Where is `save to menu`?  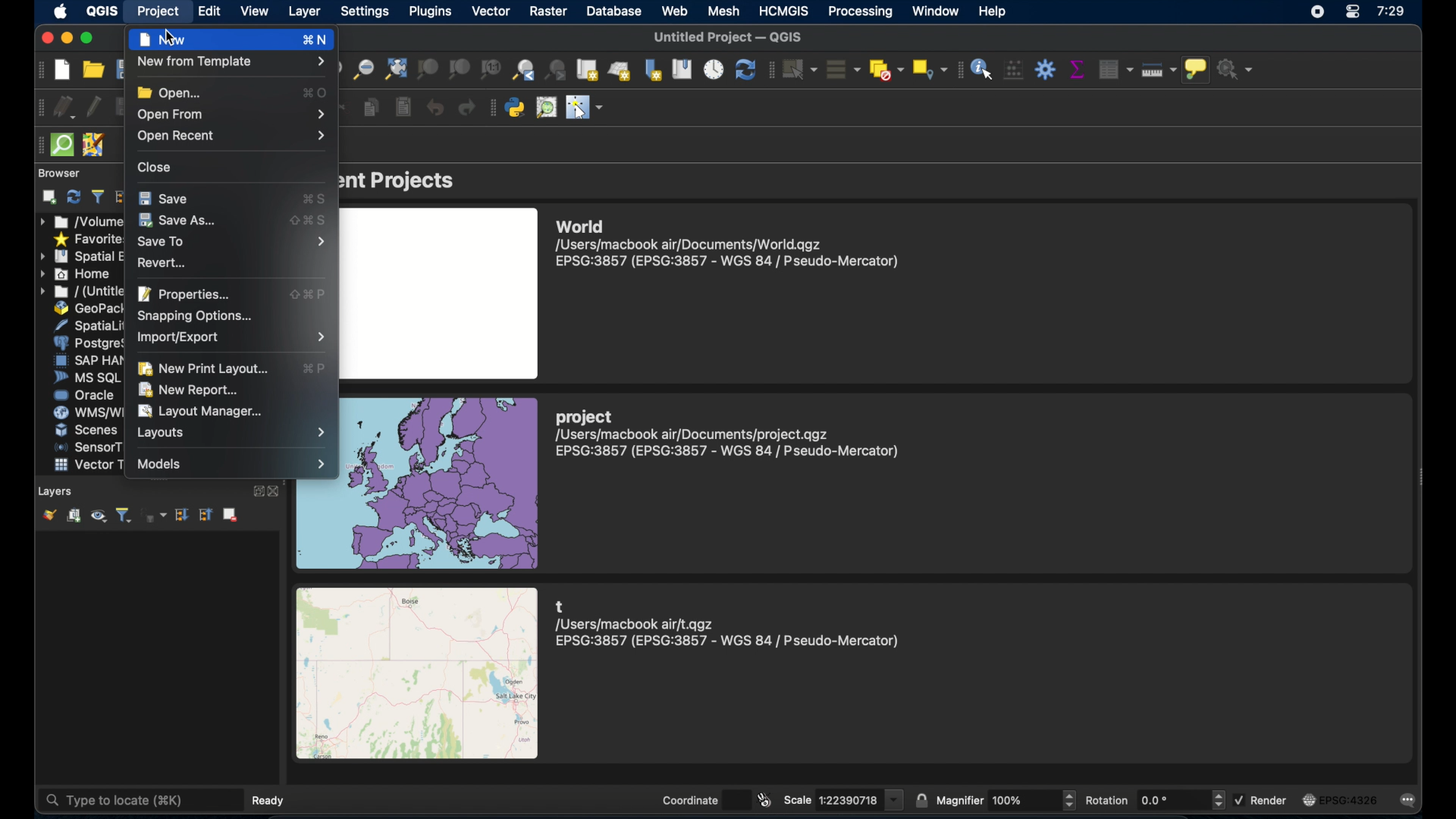 save to menu is located at coordinates (233, 240).